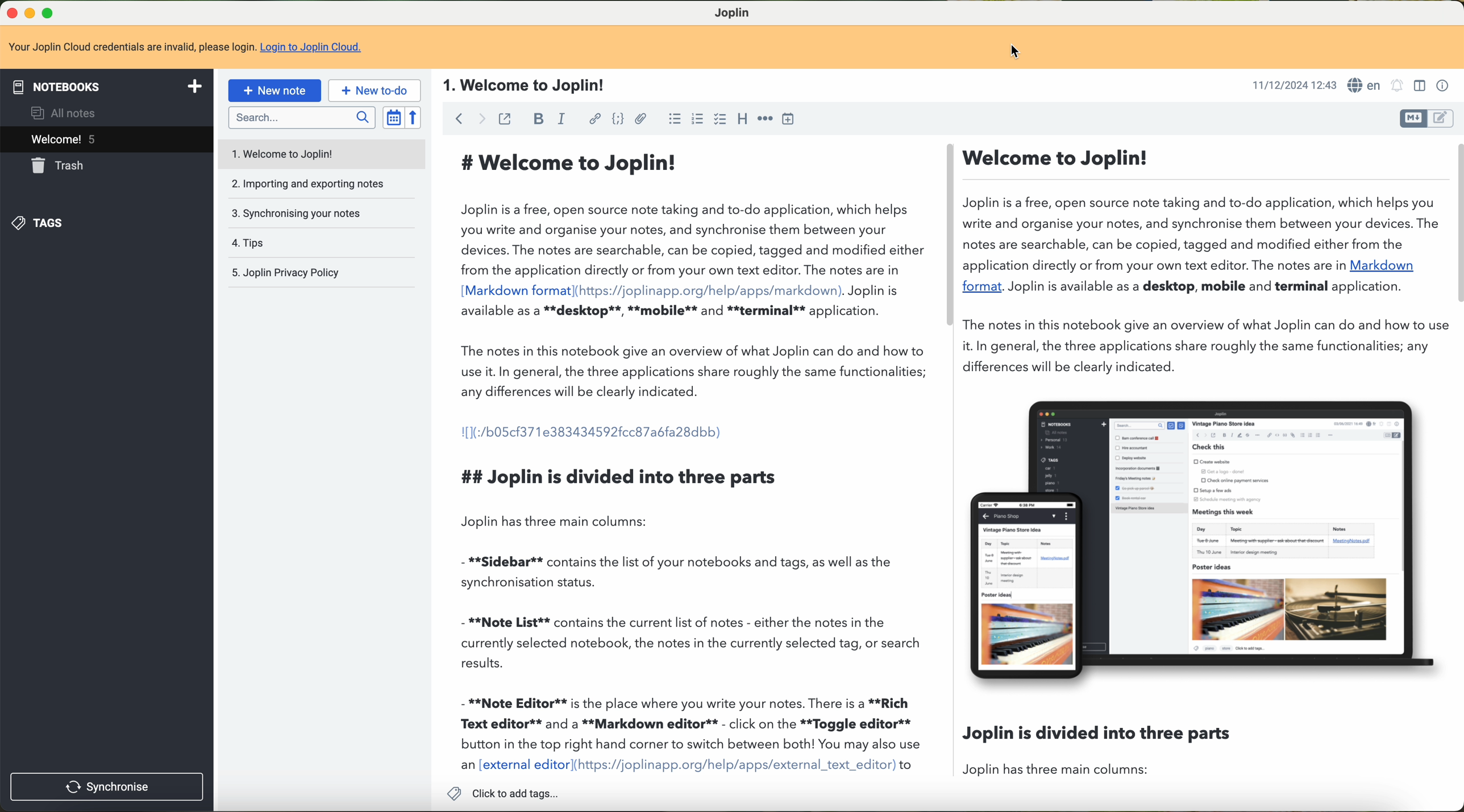 The image size is (1464, 812). I want to click on italic, so click(558, 118).